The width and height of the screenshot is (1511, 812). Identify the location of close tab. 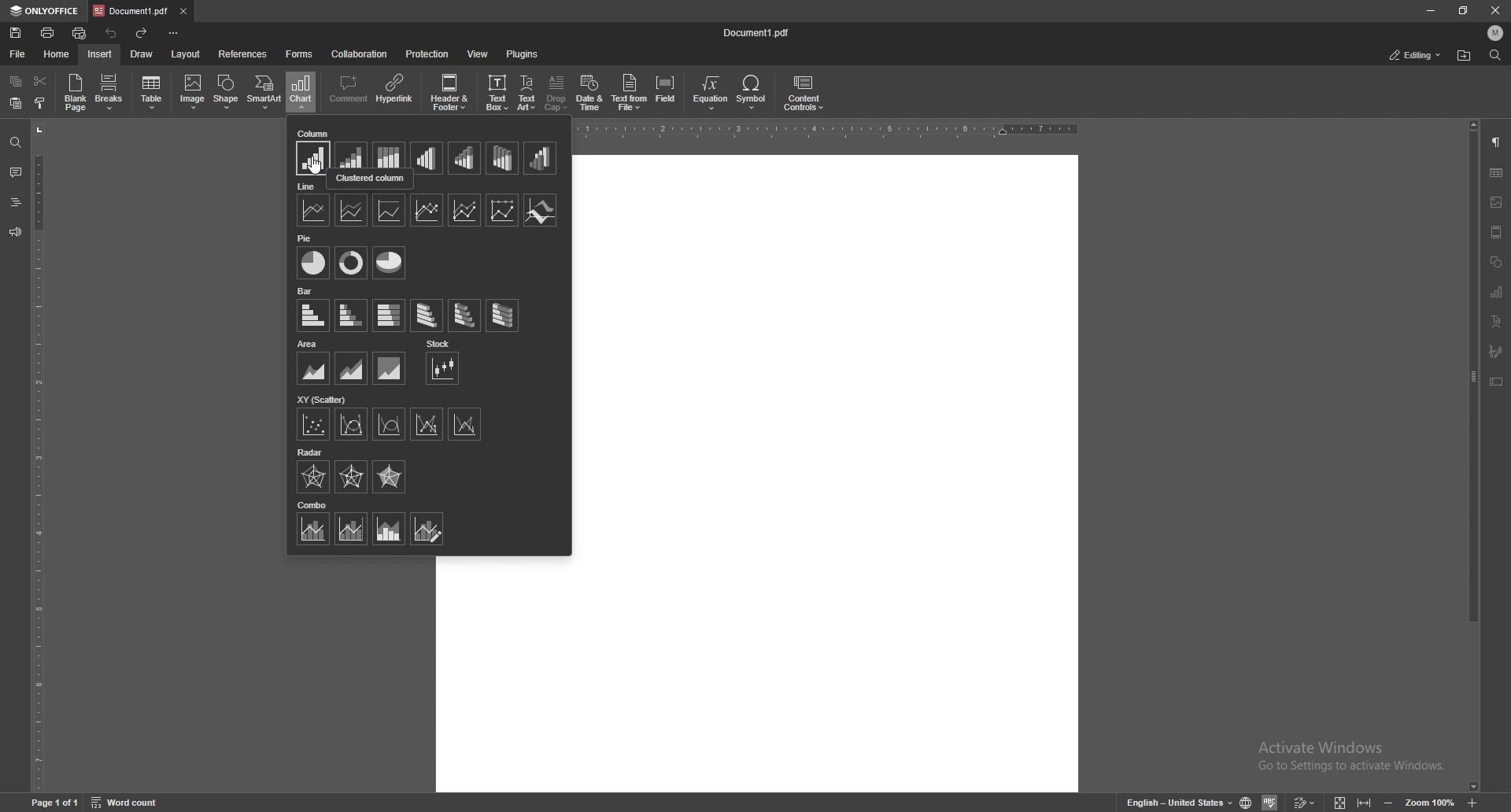
(184, 11).